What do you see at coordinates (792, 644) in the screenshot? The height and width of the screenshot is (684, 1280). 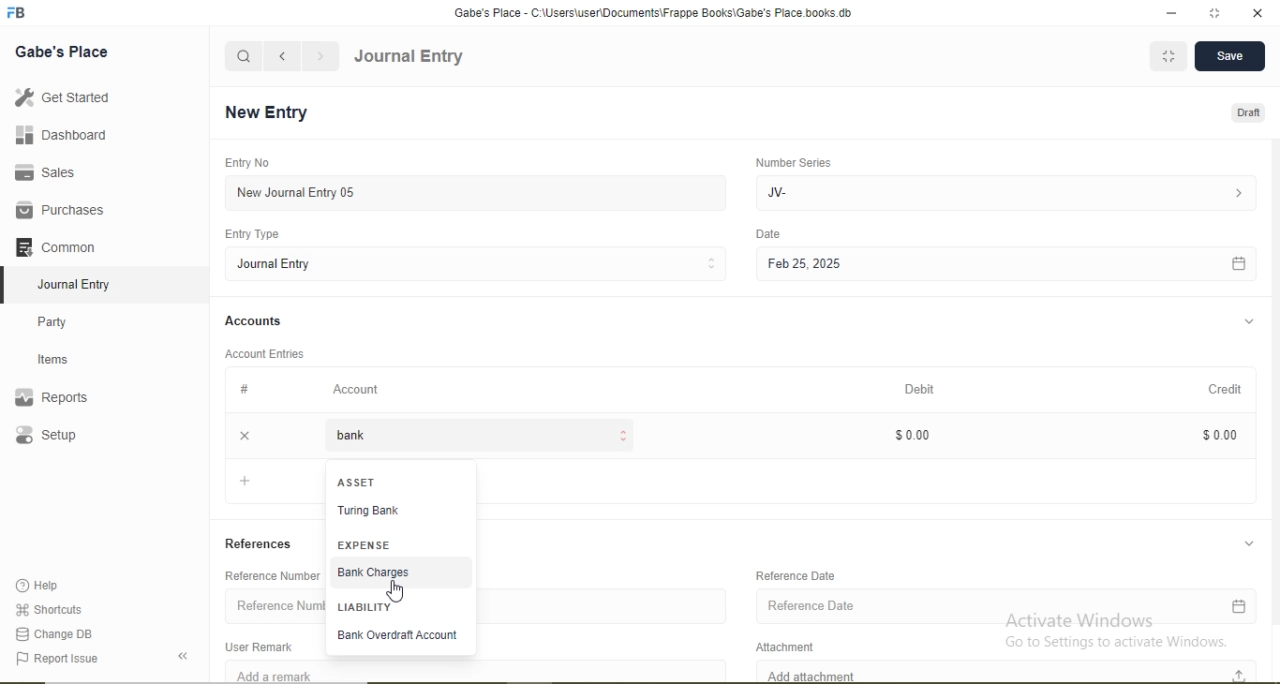 I see `Attachment` at bounding box center [792, 644].